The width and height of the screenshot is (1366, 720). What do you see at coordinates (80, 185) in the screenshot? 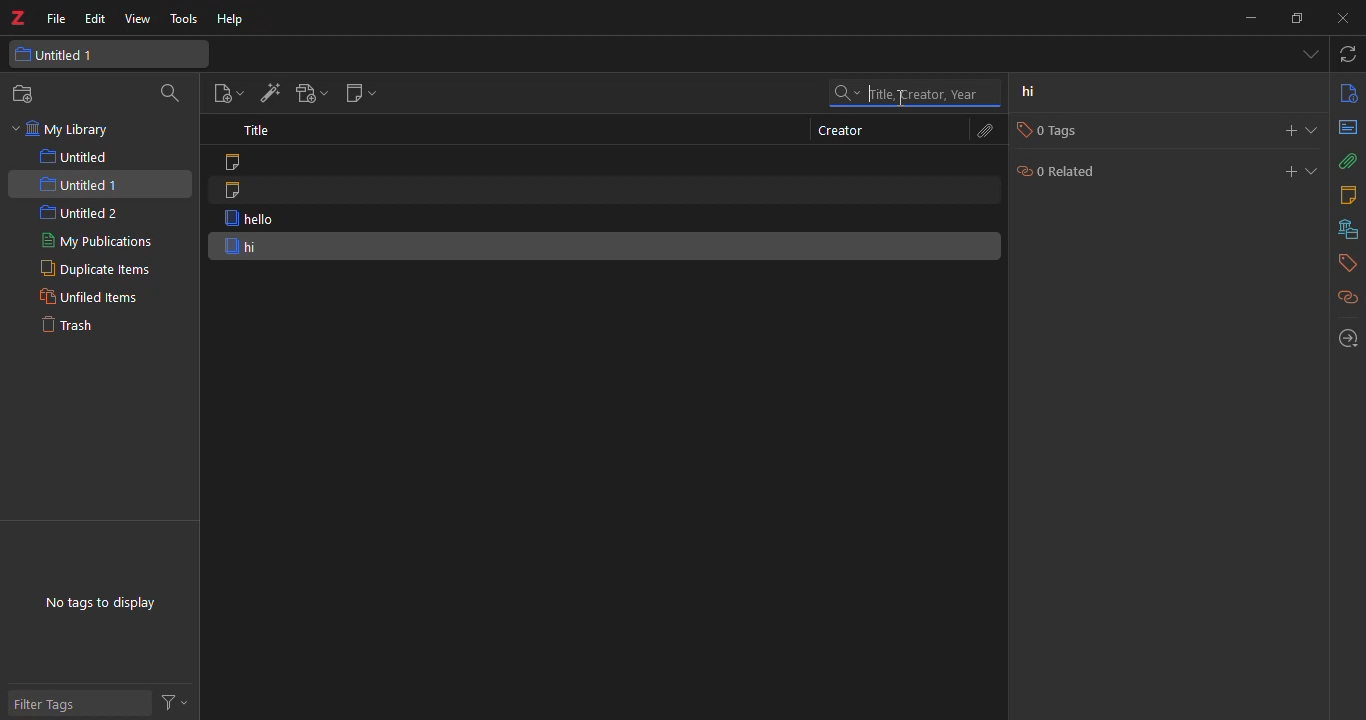
I see `untitled 1` at bounding box center [80, 185].